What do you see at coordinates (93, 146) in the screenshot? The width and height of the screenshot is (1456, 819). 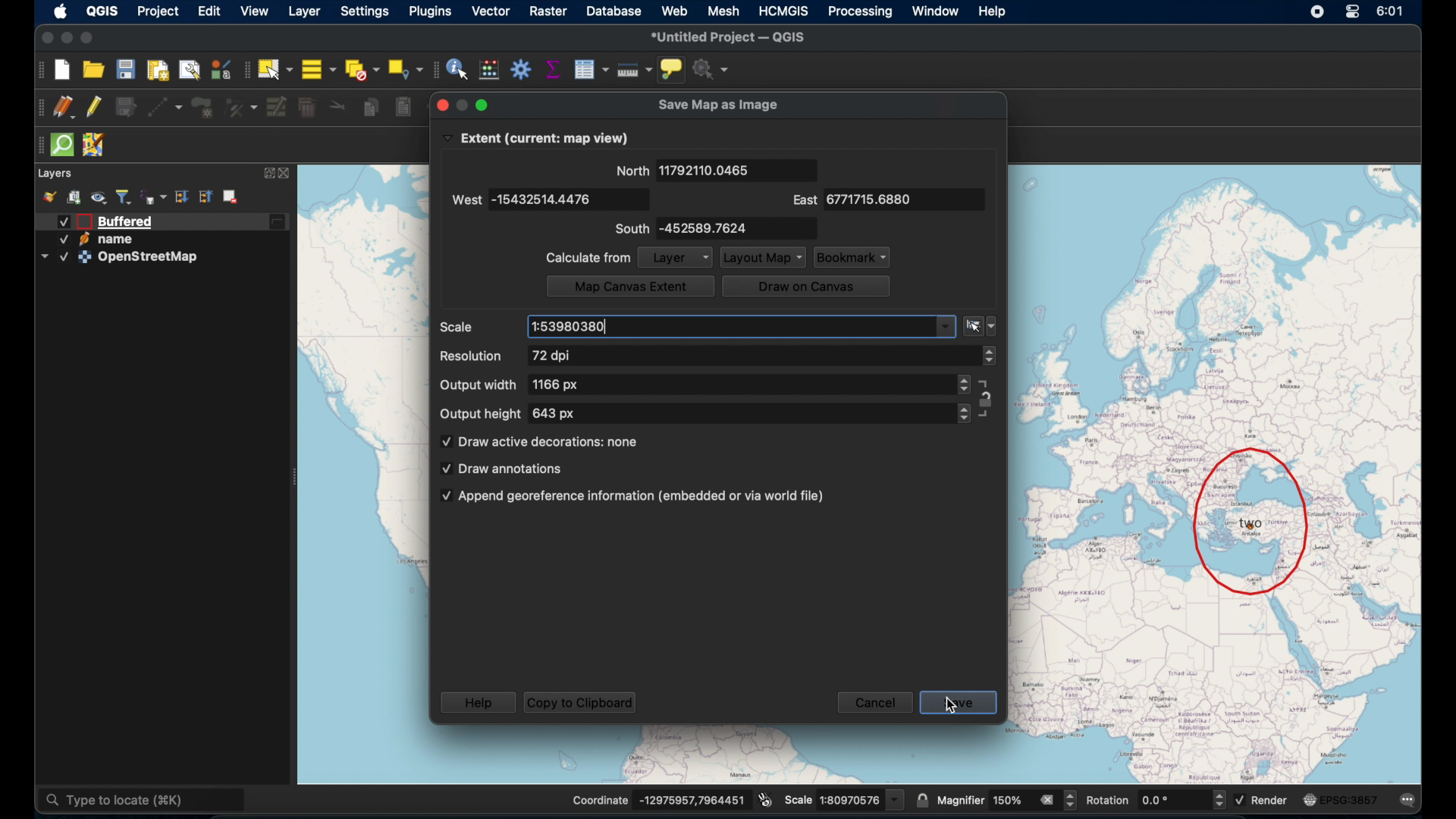 I see `jsom remote` at bounding box center [93, 146].